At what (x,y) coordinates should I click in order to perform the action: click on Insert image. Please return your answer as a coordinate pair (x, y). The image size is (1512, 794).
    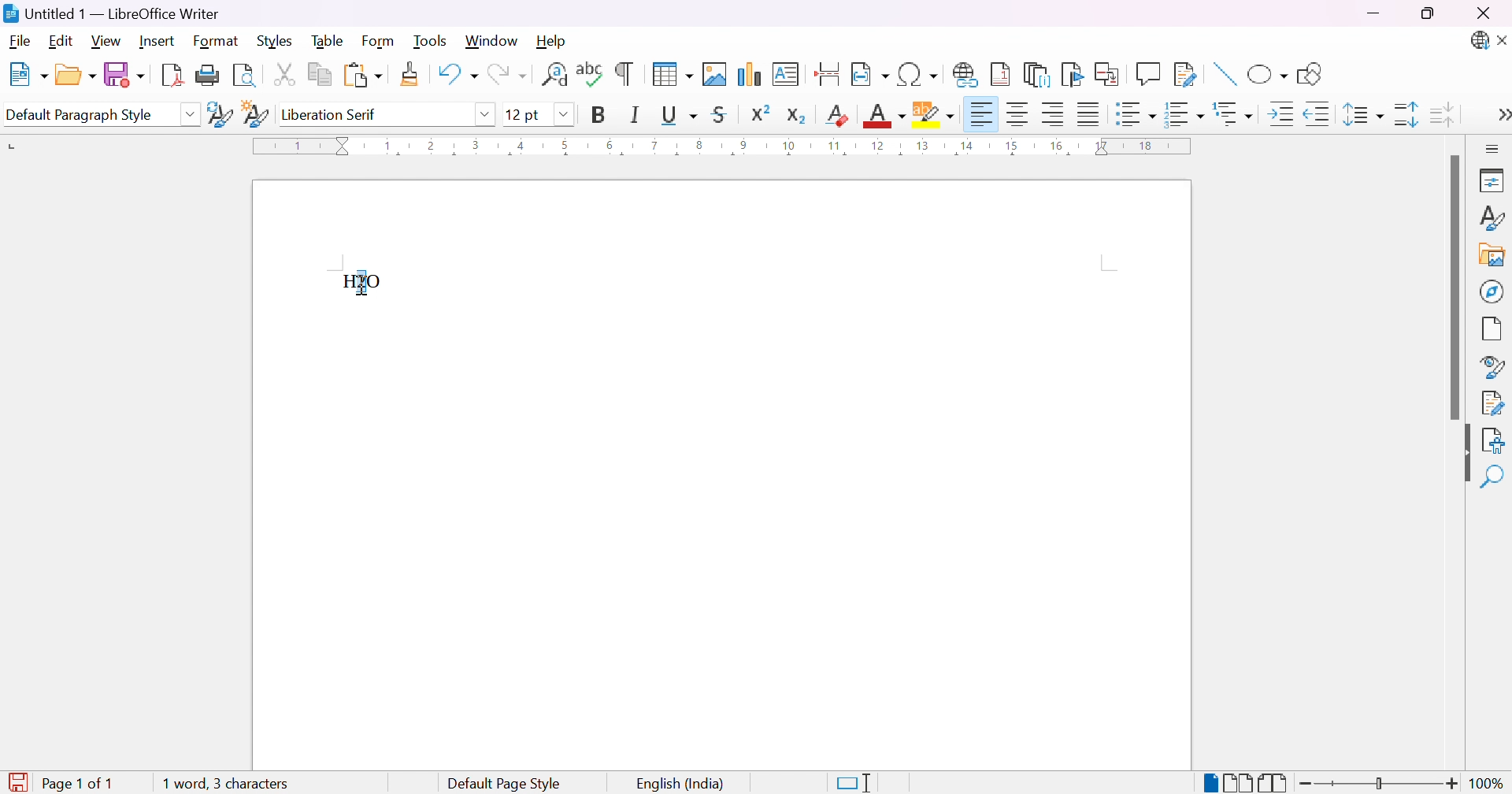
    Looking at the image, I should click on (716, 74).